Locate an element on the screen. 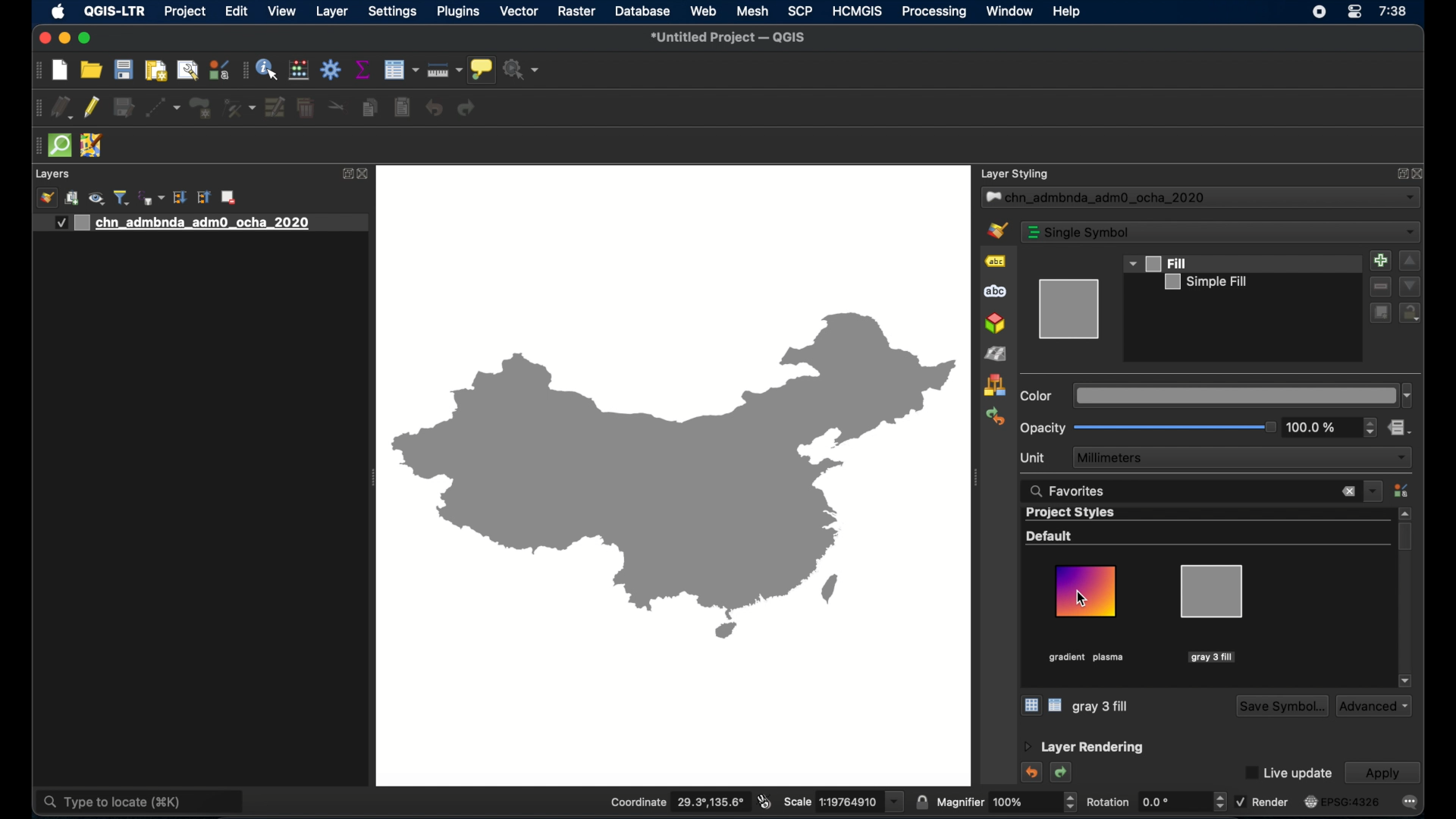  new is located at coordinates (61, 71).